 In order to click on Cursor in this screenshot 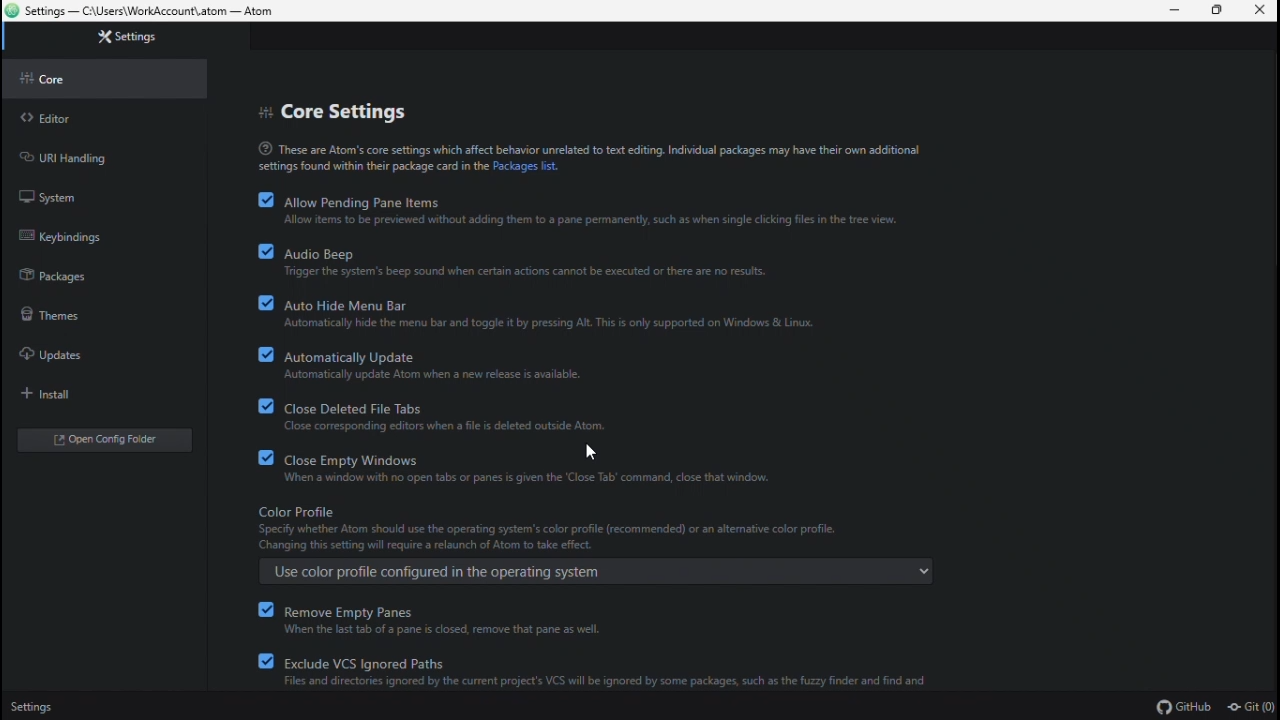, I will do `click(594, 454)`.